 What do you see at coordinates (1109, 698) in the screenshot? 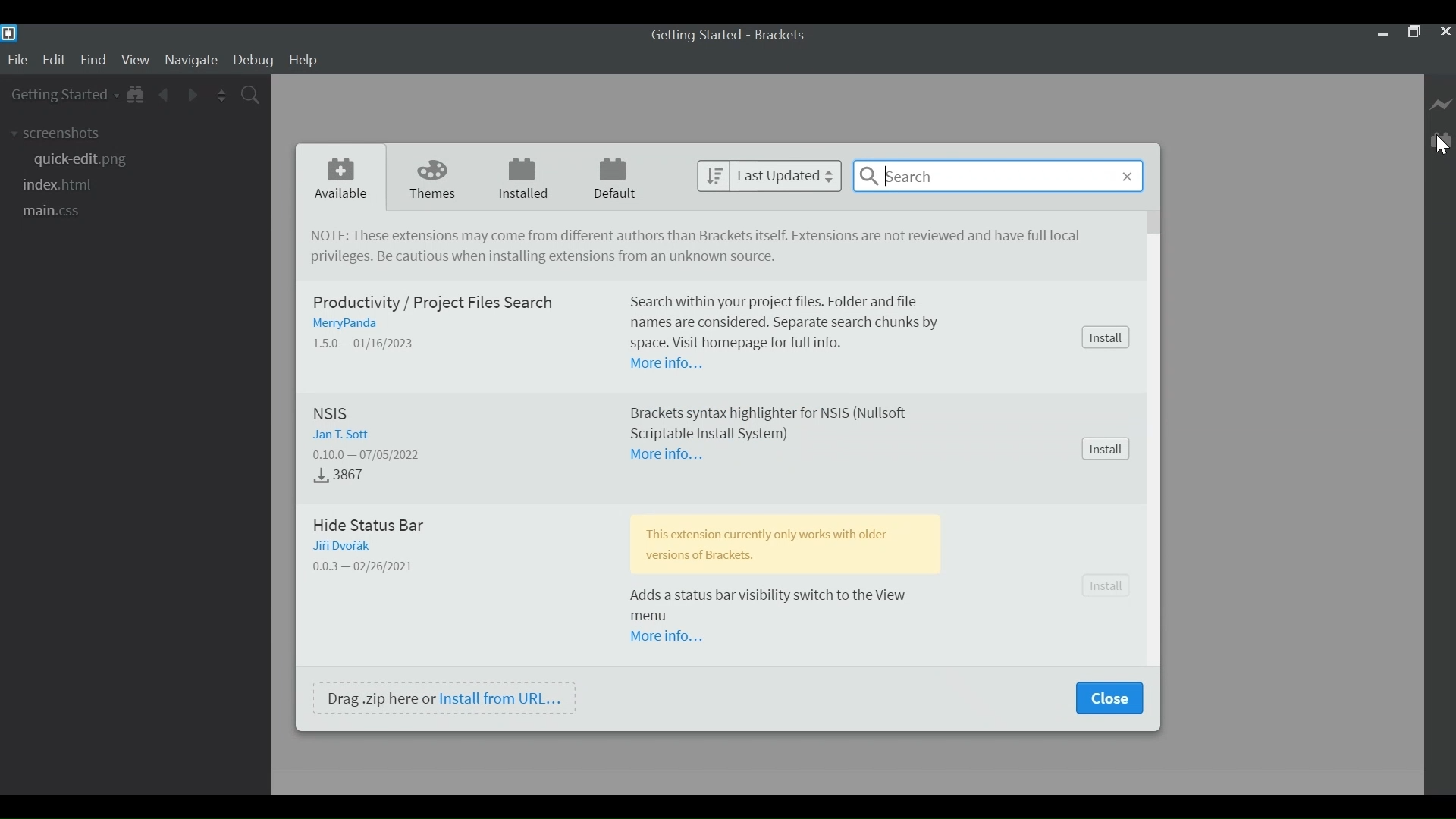
I see `Close` at bounding box center [1109, 698].